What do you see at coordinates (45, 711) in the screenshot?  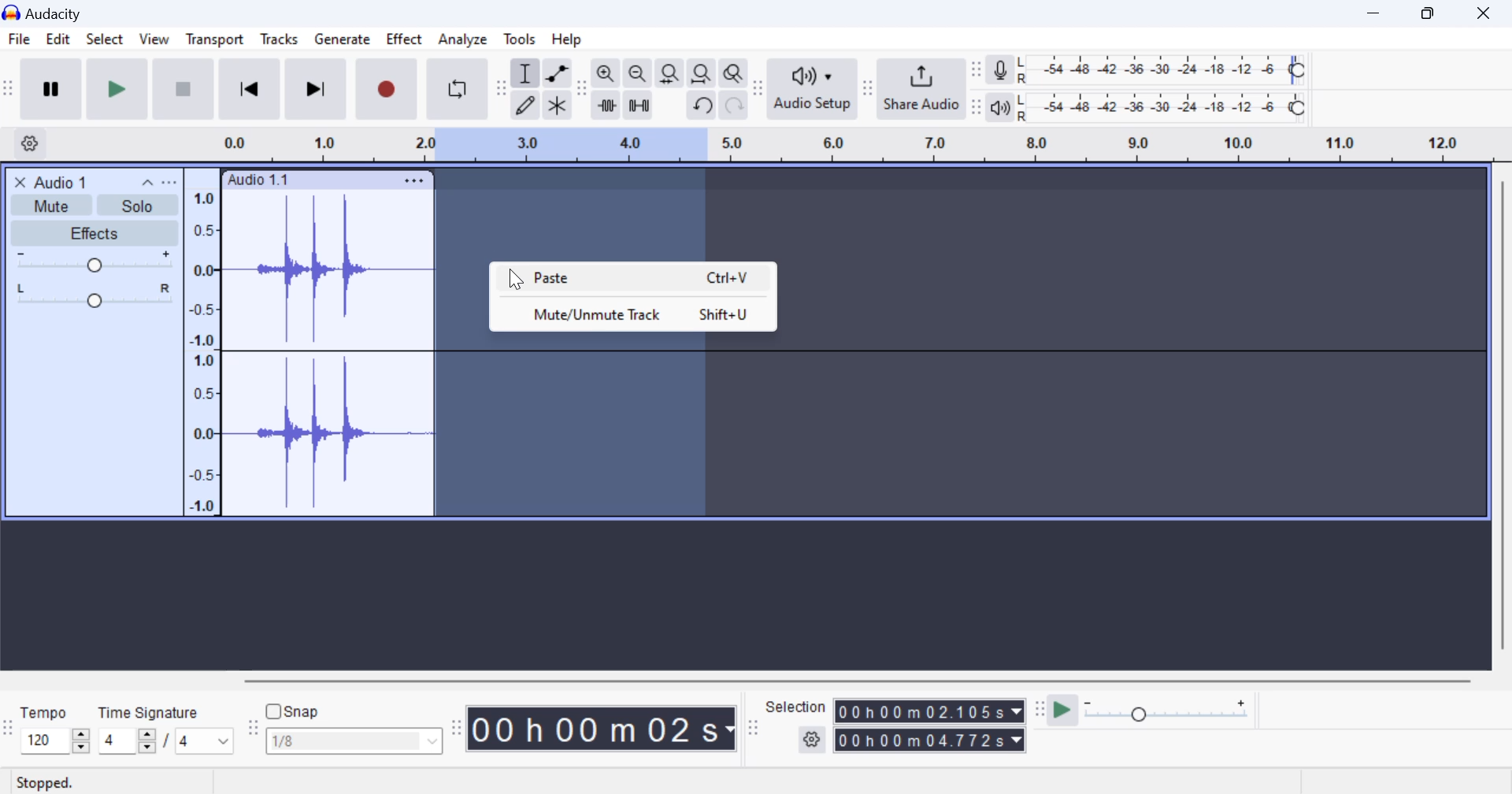 I see `Tempo ` at bounding box center [45, 711].